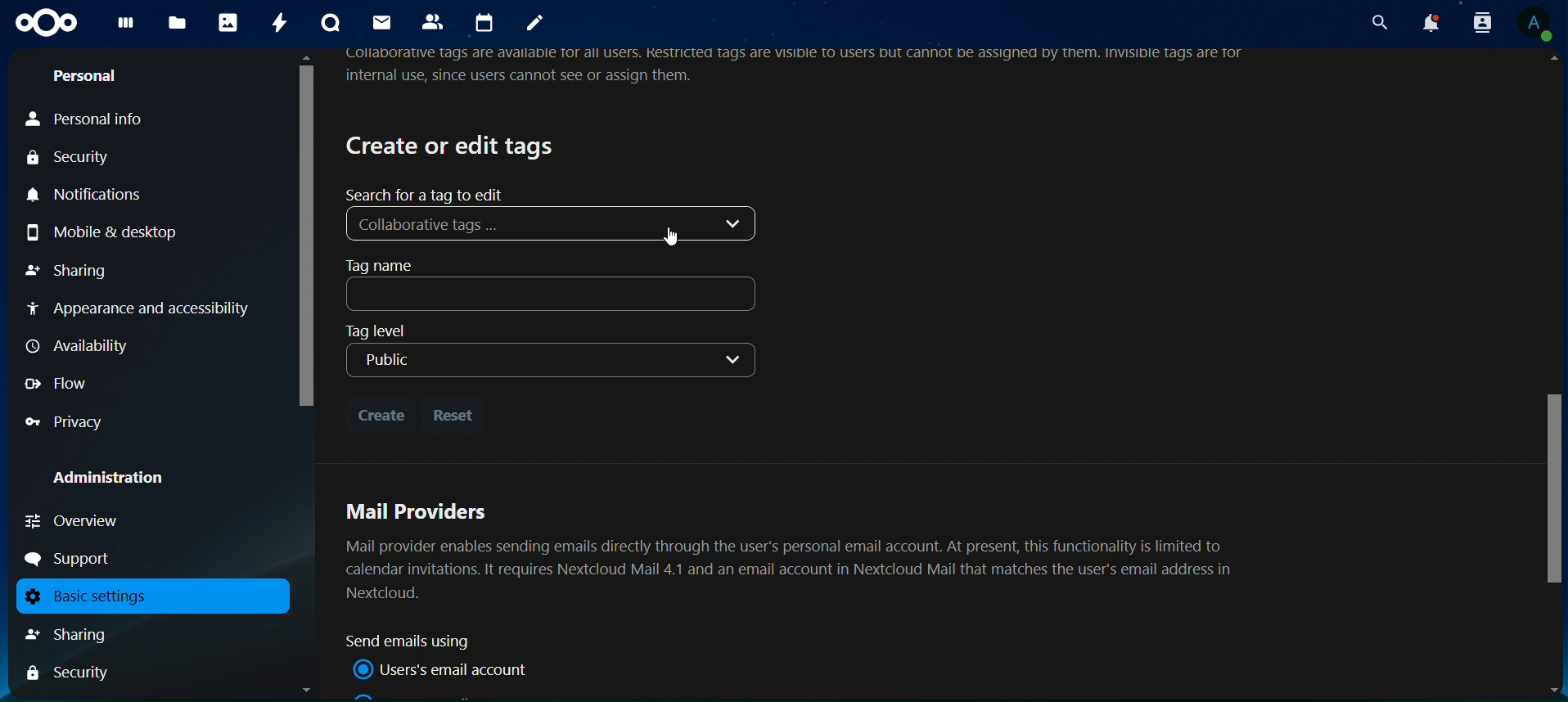  Describe the element at coordinates (78, 160) in the screenshot. I see `security` at that location.